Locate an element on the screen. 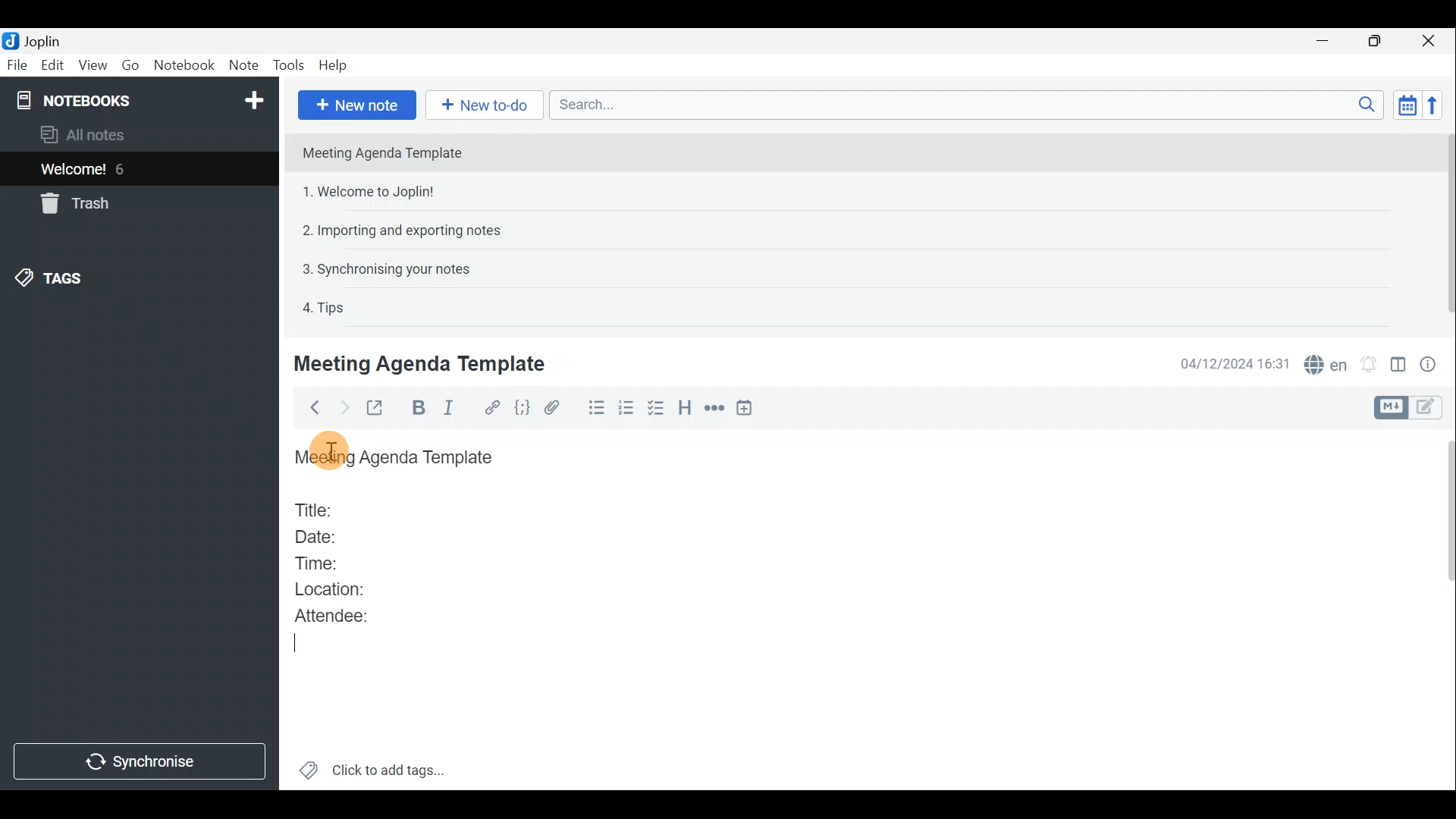  Note properties is located at coordinates (1433, 363).